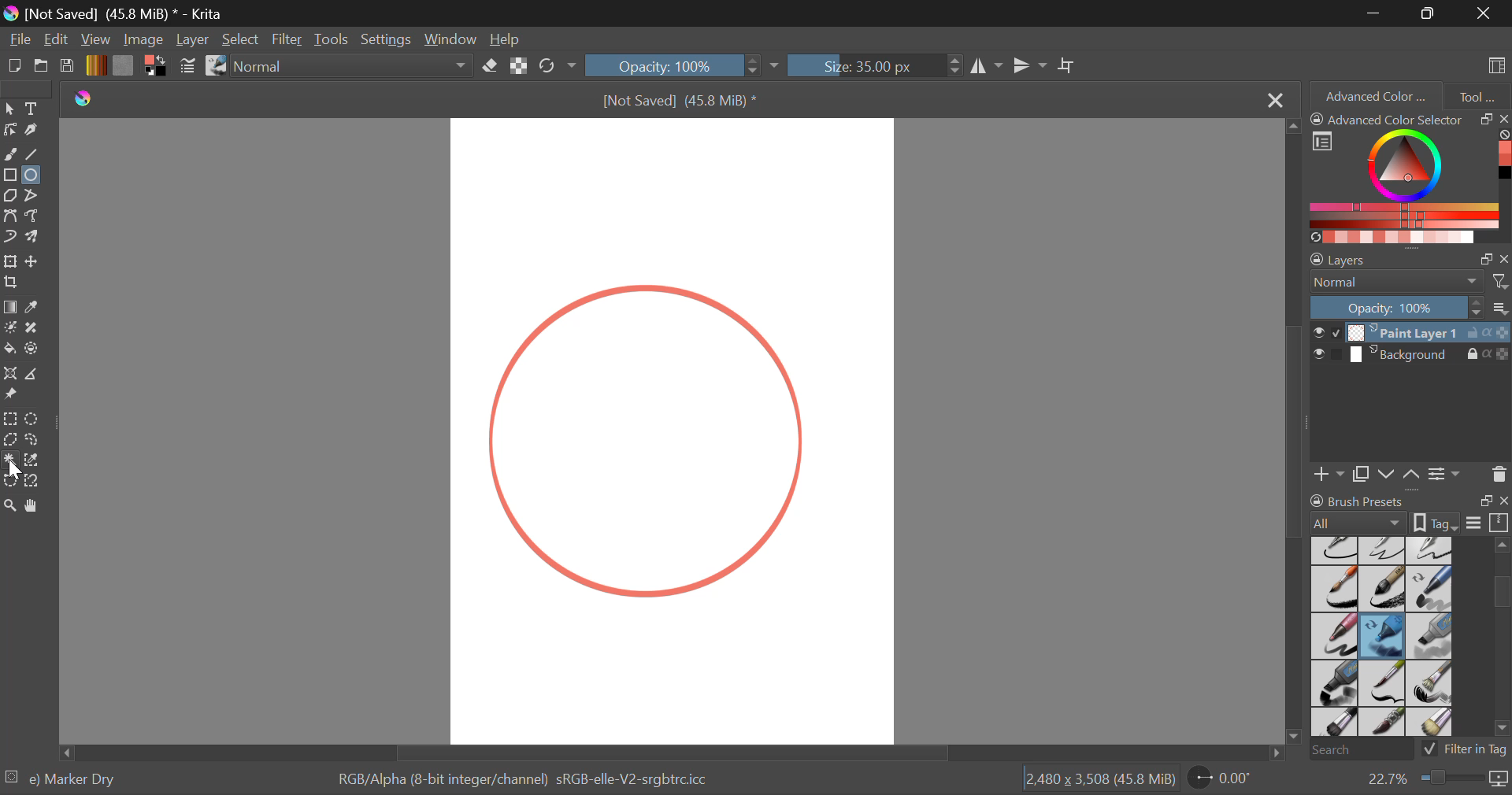  What do you see at coordinates (9, 109) in the screenshot?
I see `Select` at bounding box center [9, 109].